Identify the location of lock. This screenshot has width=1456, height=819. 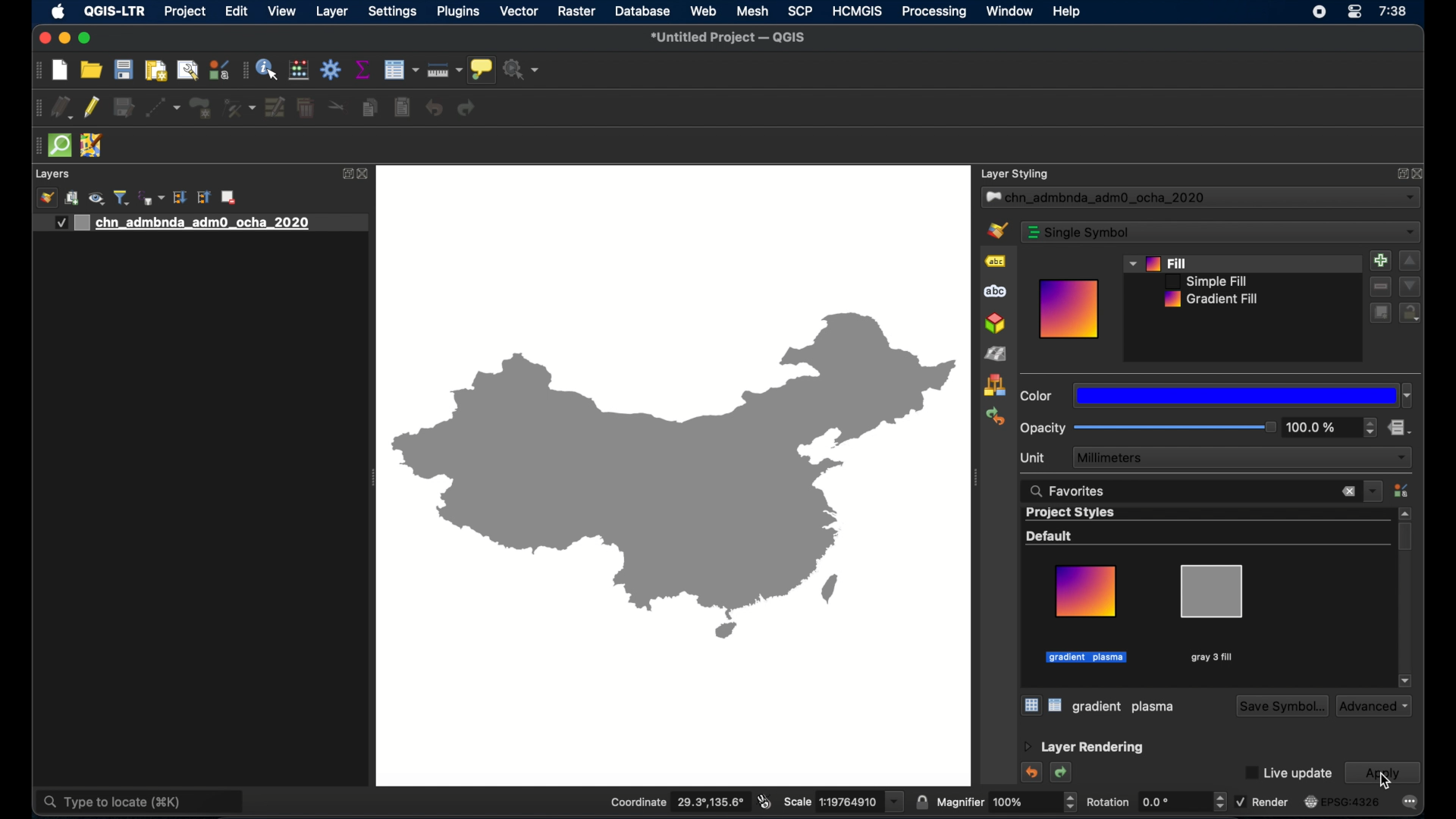
(1410, 314).